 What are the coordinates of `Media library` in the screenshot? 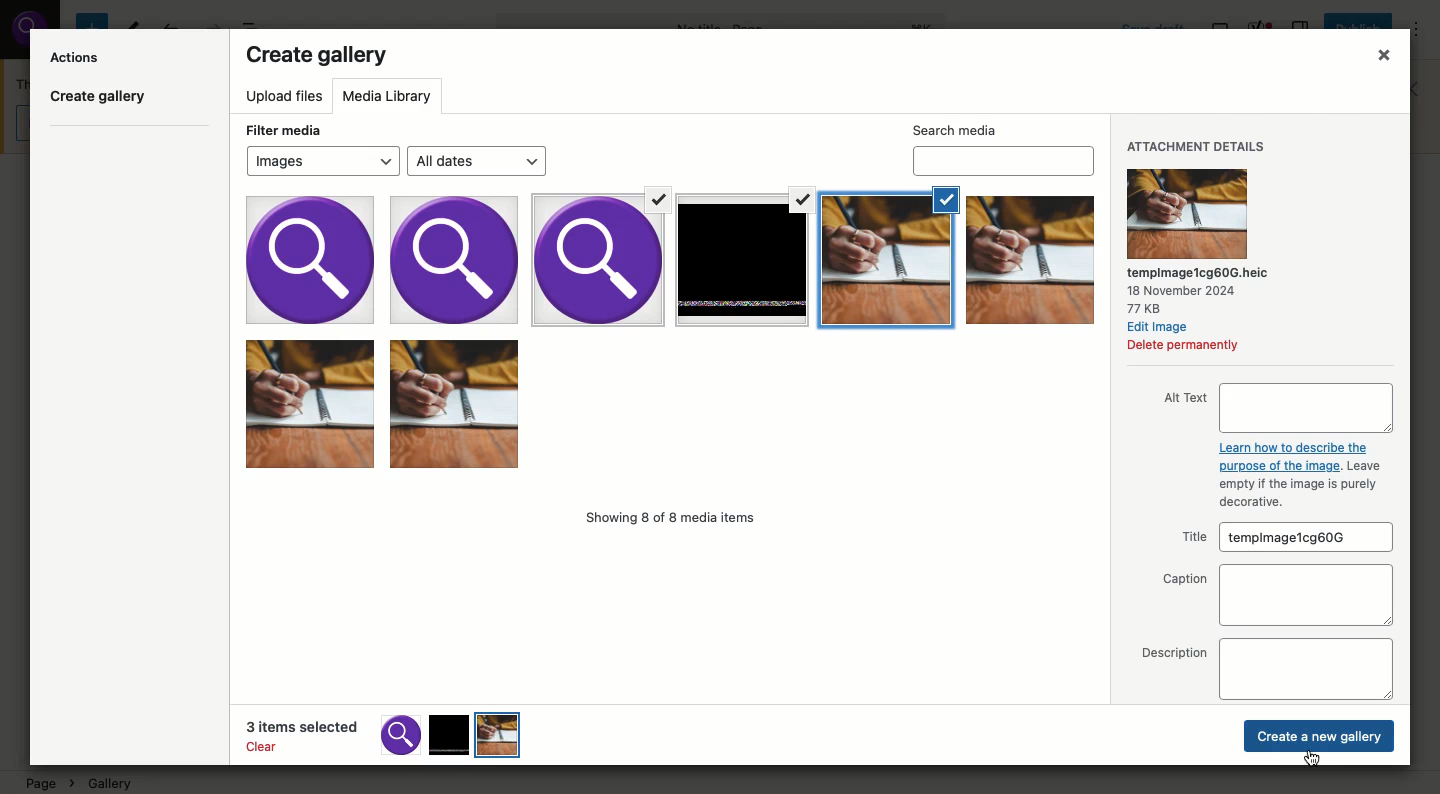 It's located at (391, 96).